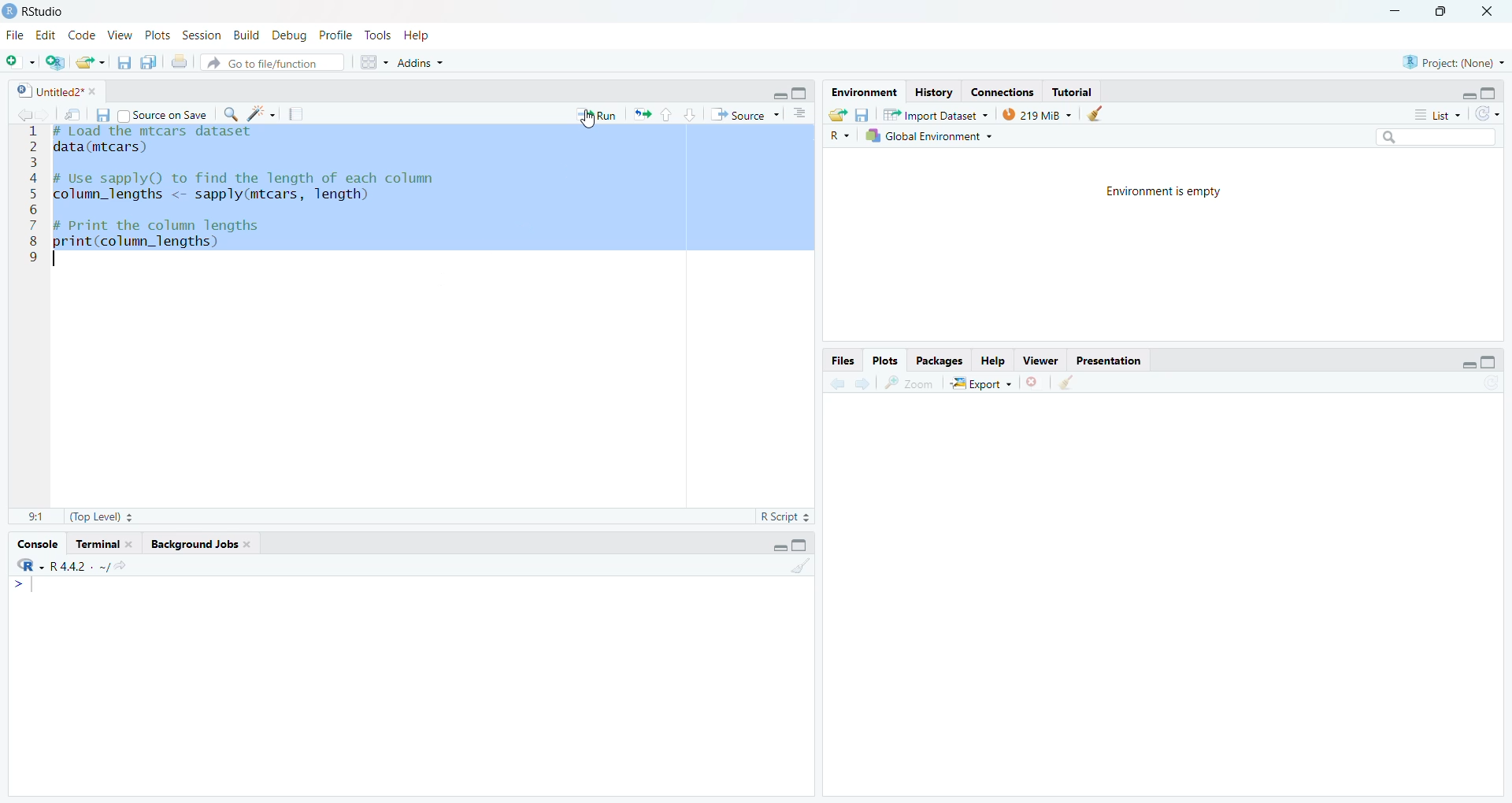 Image resolution: width=1512 pixels, height=803 pixels. Describe the element at coordinates (1165, 192) in the screenshot. I see `Environment is empty` at that location.